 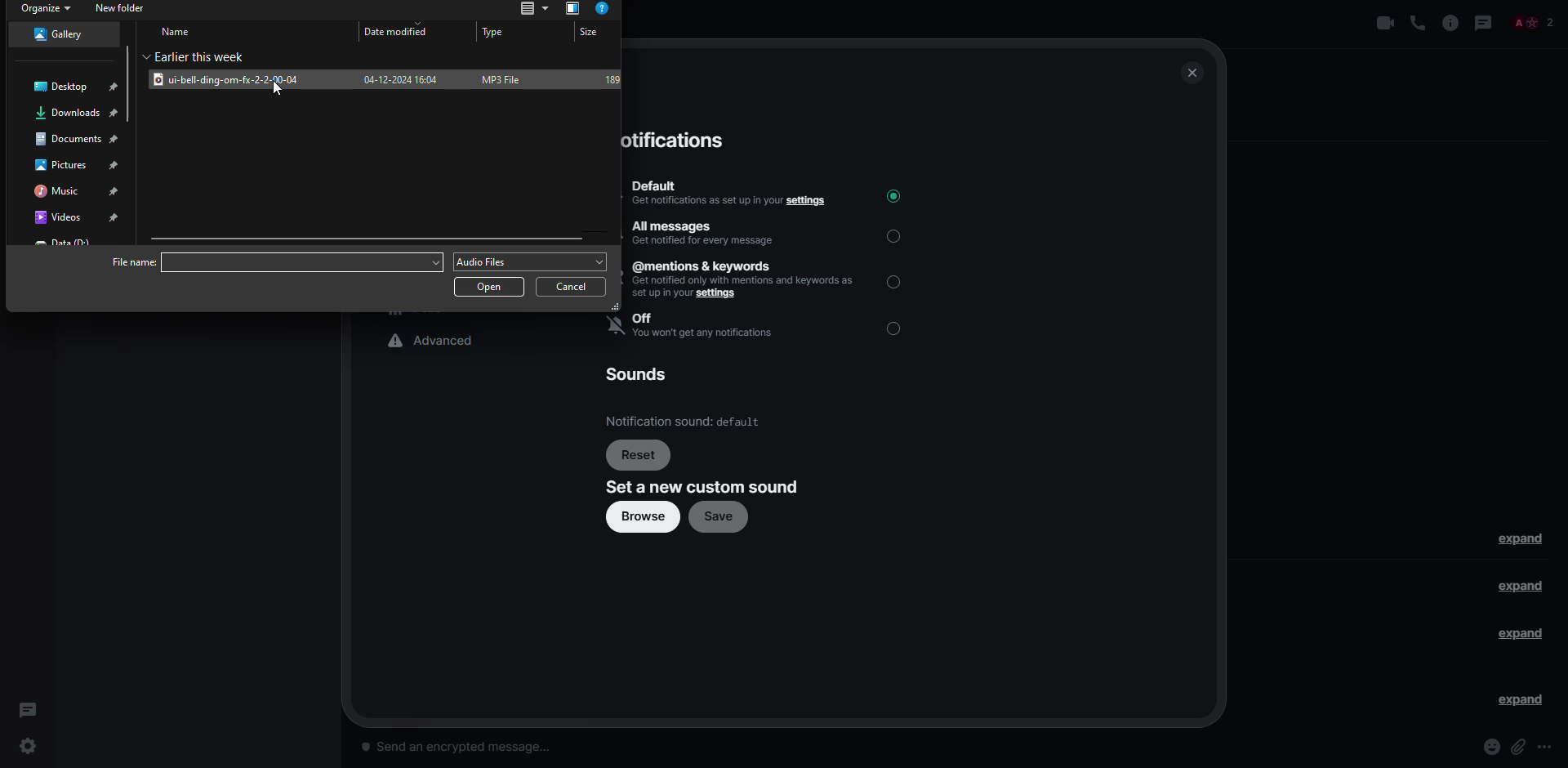 I want to click on book view, so click(x=571, y=9).